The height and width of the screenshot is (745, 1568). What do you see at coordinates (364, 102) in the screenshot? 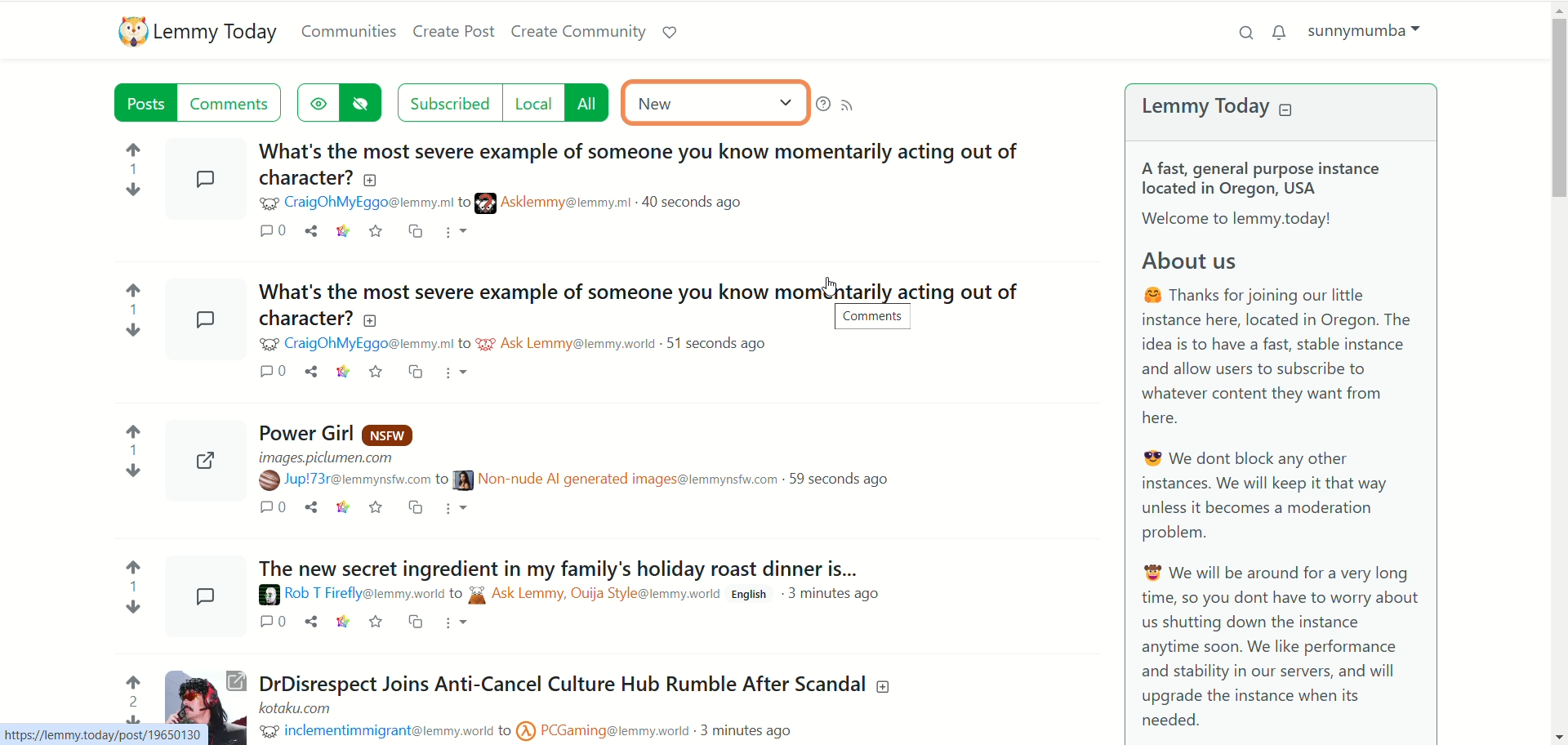
I see `hide post` at bounding box center [364, 102].